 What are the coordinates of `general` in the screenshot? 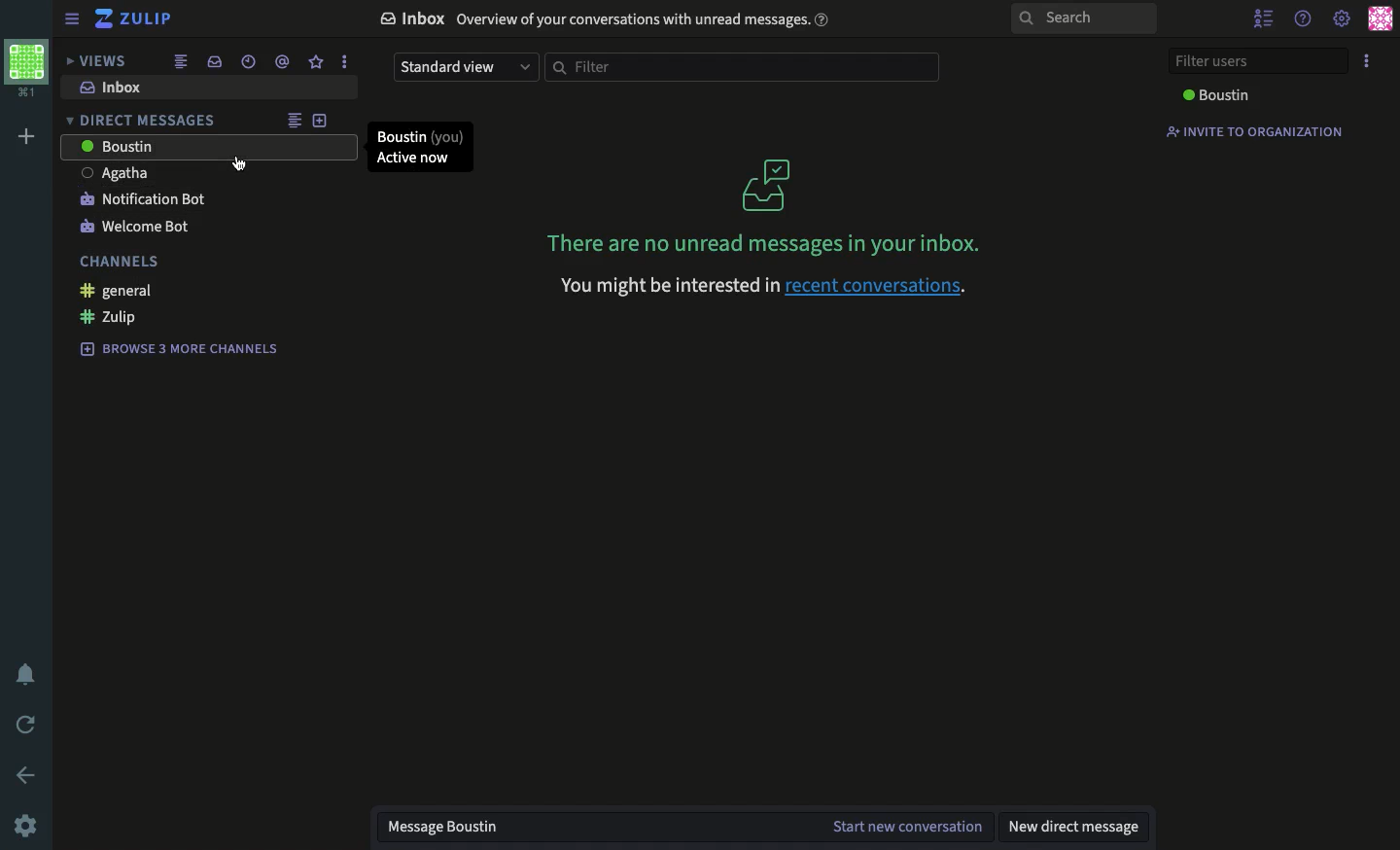 It's located at (116, 292).